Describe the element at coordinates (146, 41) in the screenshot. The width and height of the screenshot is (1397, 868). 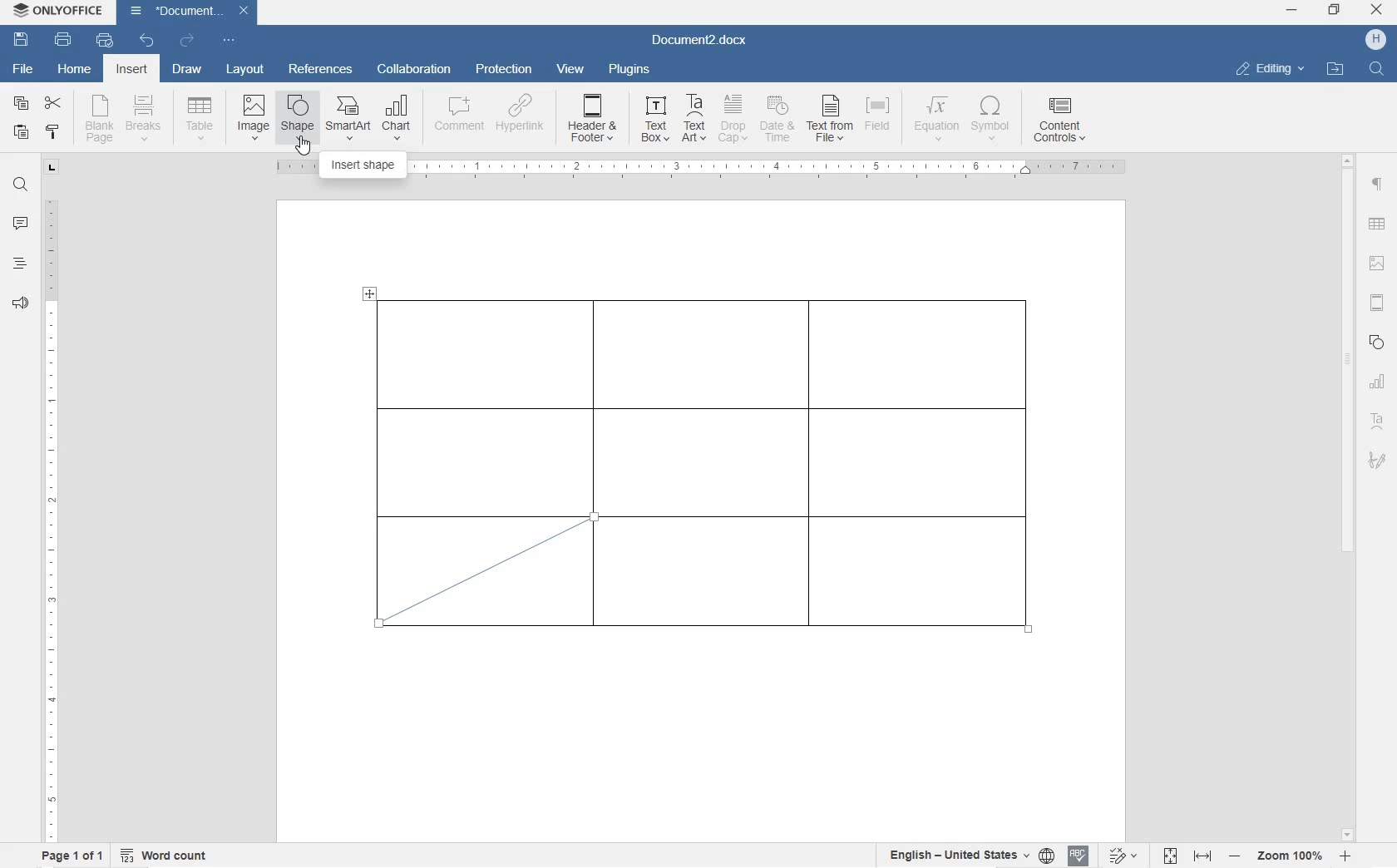
I see `undo` at that location.